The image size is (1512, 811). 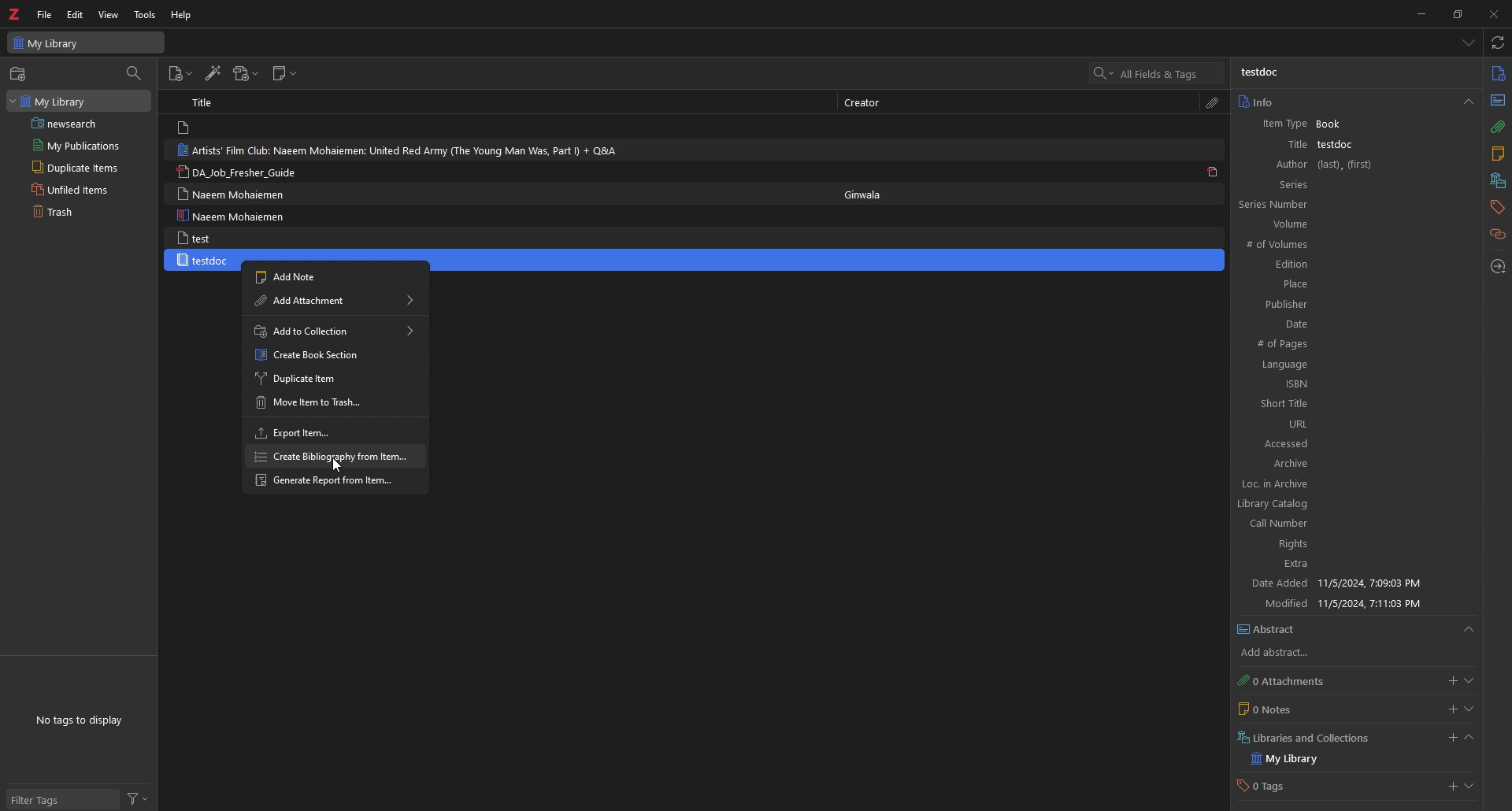 What do you see at coordinates (231, 194) in the screenshot?
I see `Naeem Mohaiemen` at bounding box center [231, 194].